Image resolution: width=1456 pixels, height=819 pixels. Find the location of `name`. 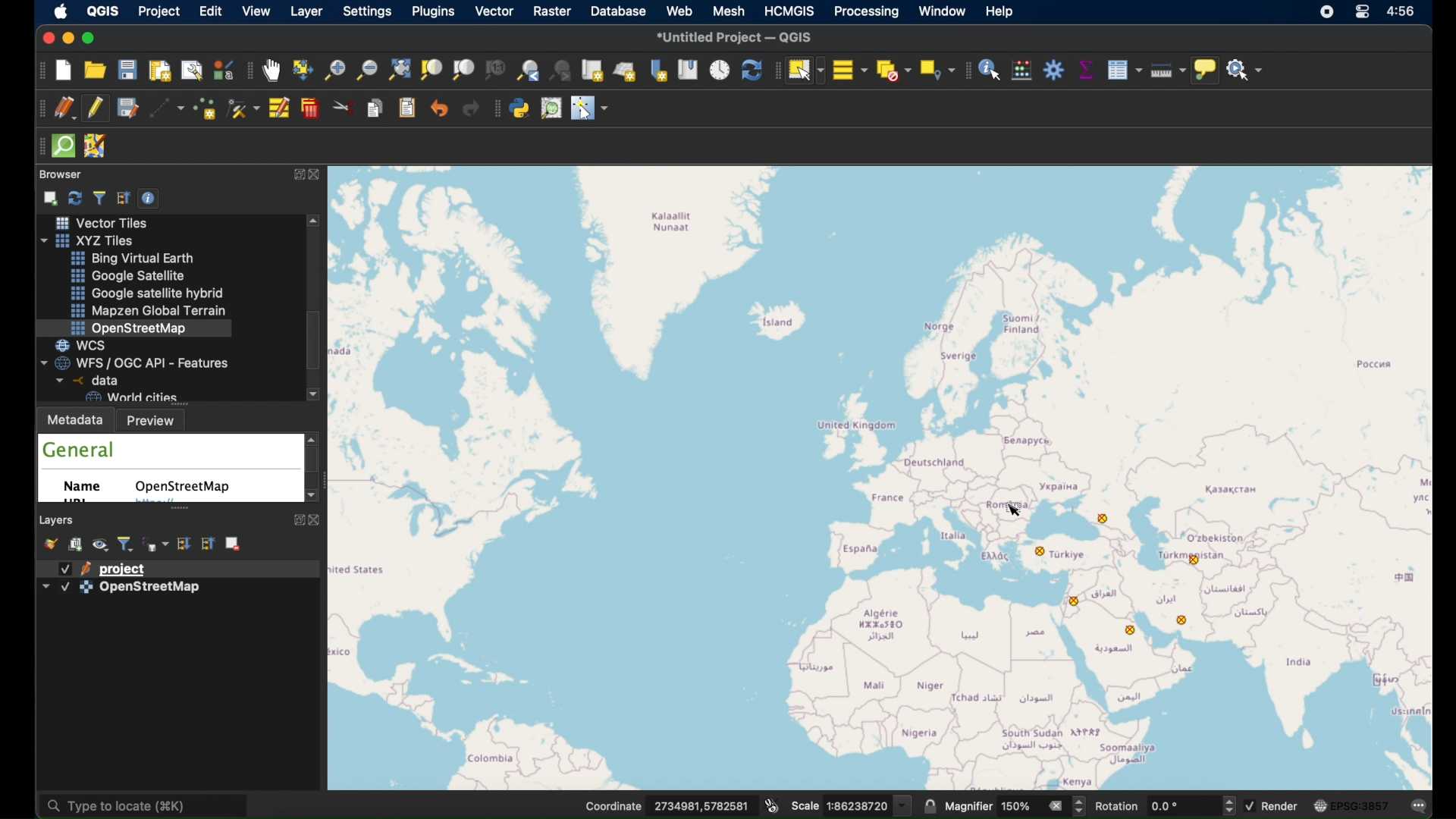

name is located at coordinates (87, 489).